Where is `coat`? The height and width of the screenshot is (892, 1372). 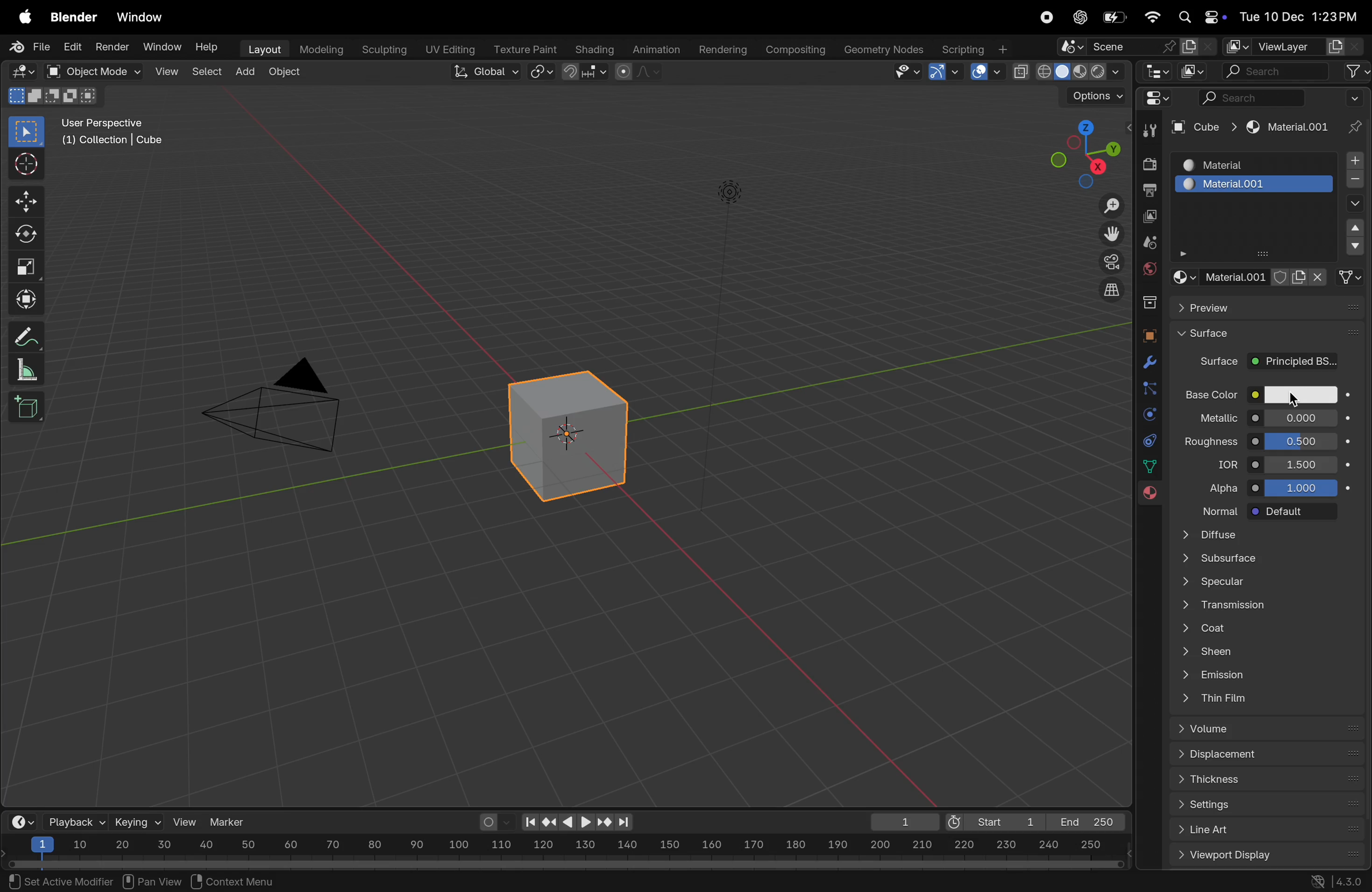
coat is located at coordinates (1269, 626).